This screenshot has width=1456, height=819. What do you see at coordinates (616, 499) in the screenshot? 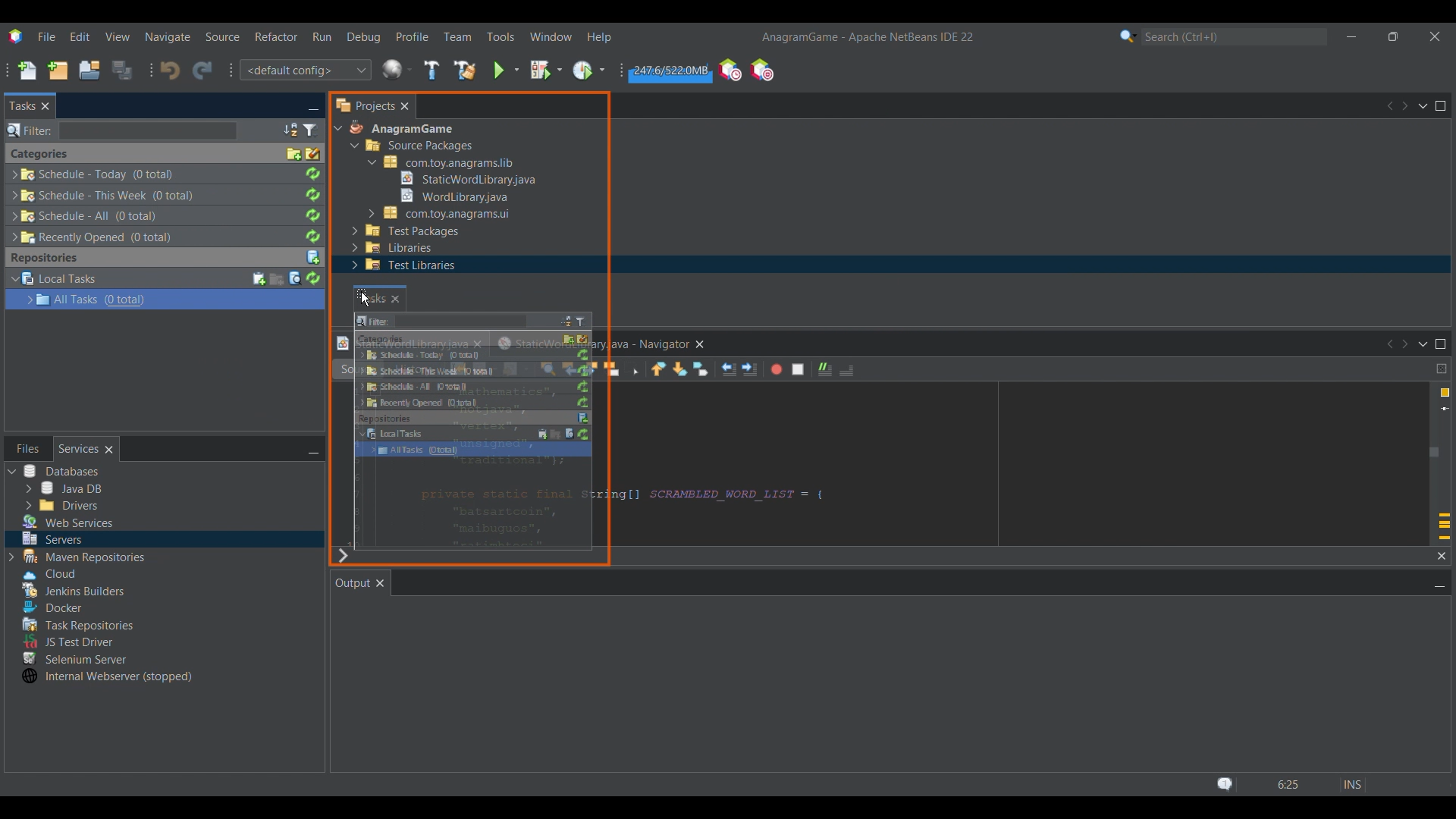
I see `` at bounding box center [616, 499].